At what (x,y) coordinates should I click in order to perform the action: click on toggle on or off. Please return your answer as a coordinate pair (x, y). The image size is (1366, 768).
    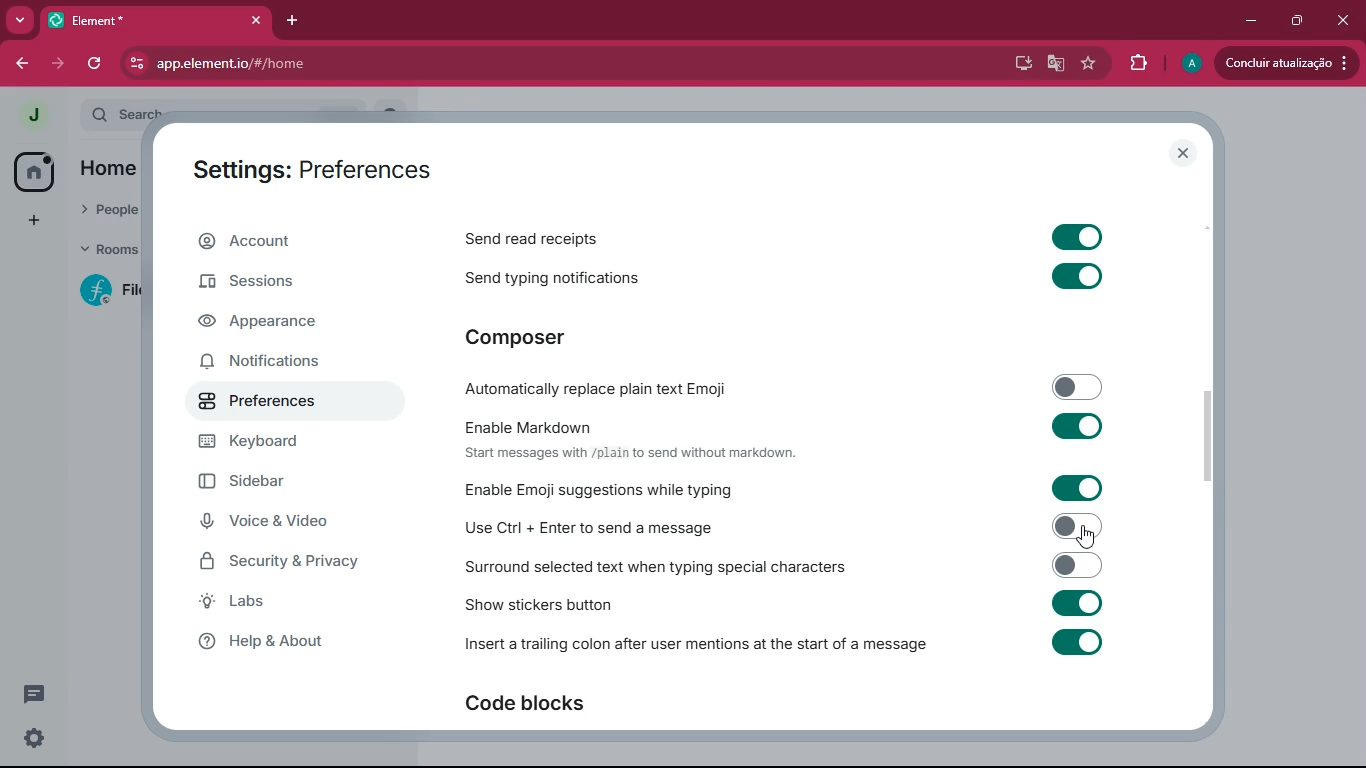
    Looking at the image, I should click on (1070, 563).